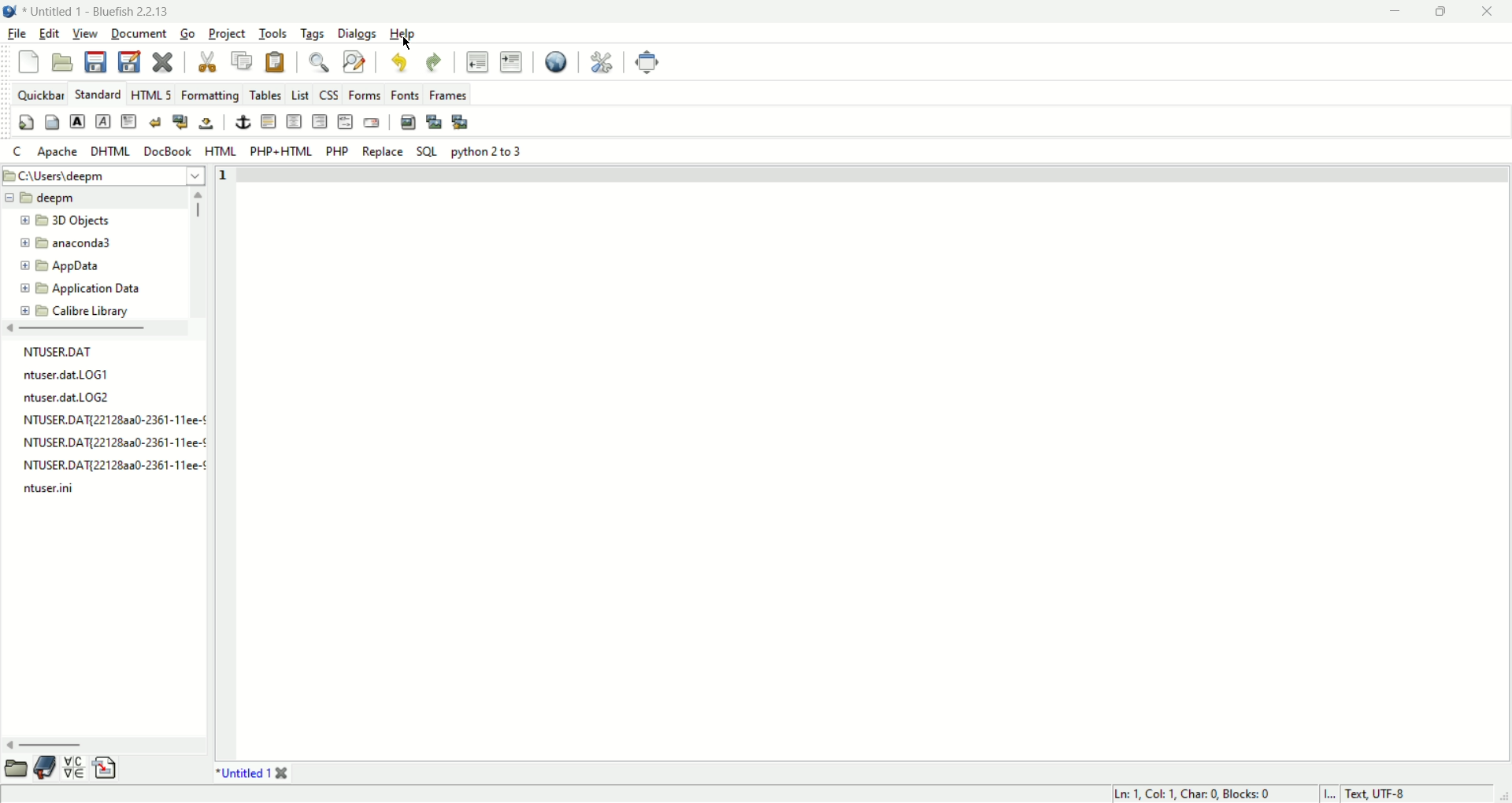  What do you see at coordinates (165, 63) in the screenshot?
I see `close` at bounding box center [165, 63].